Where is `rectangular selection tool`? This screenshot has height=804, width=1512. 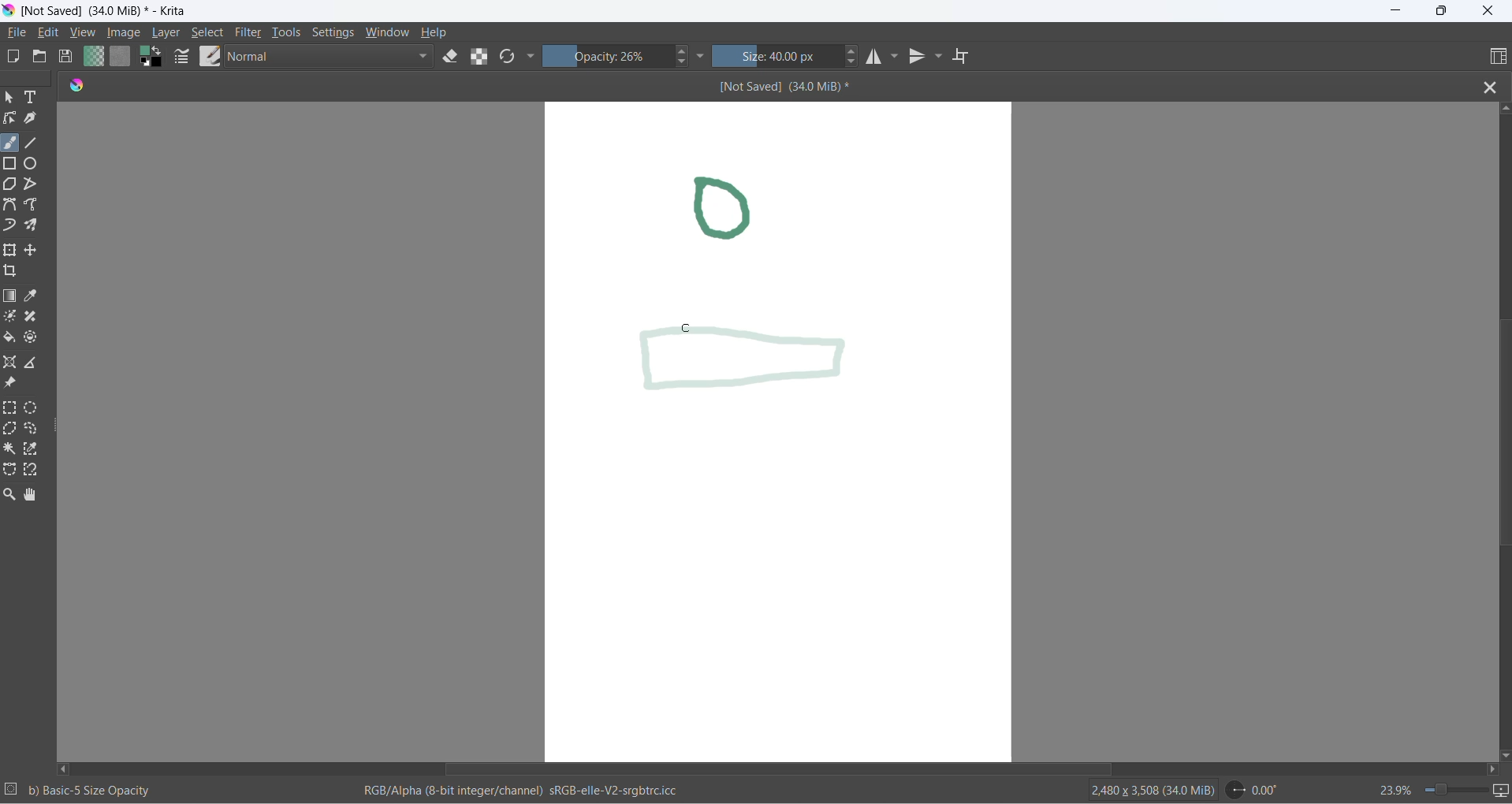 rectangular selection tool is located at coordinates (10, 410).